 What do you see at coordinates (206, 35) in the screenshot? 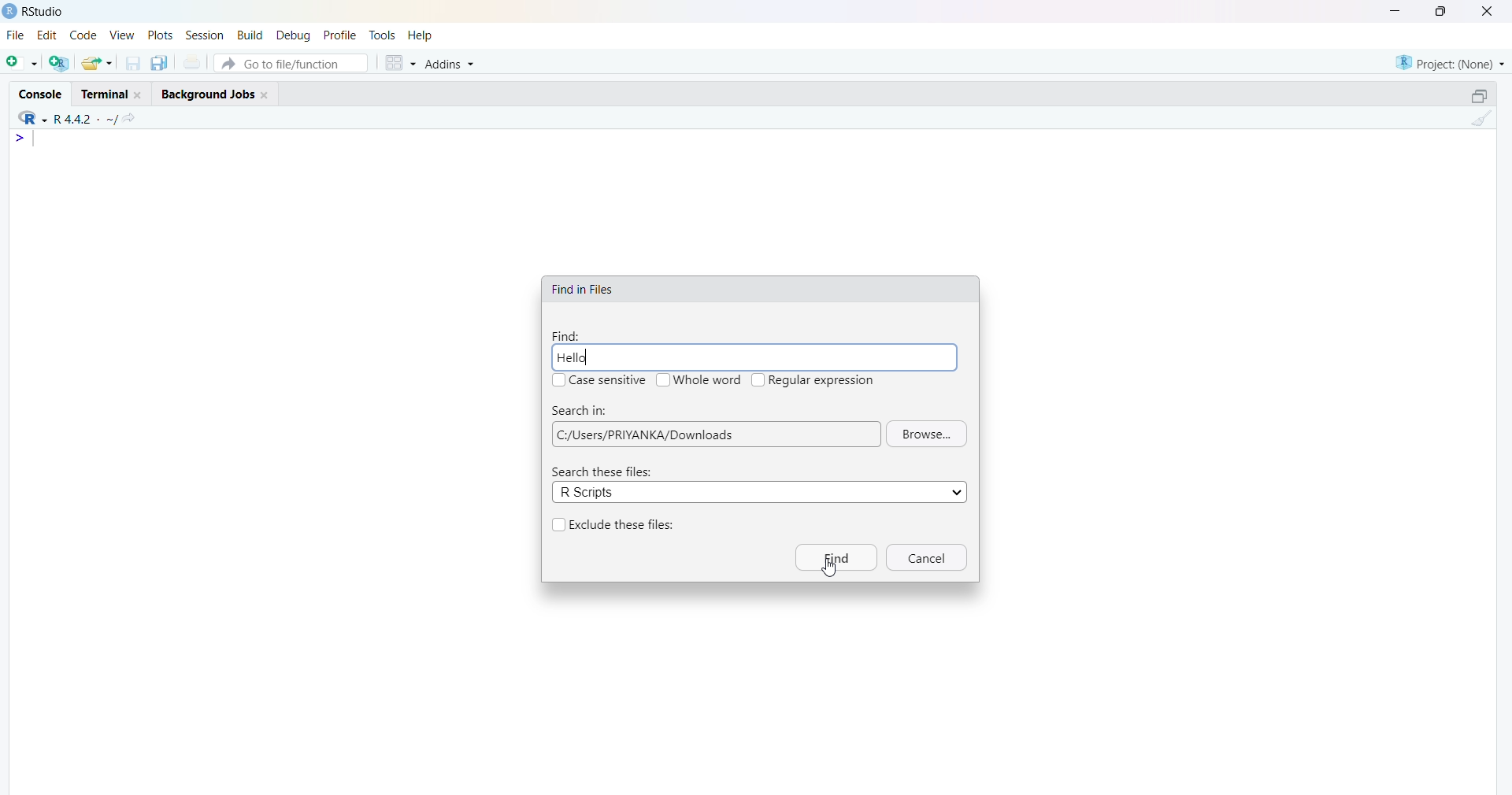
I see `session` at bounding box center [206, 35].